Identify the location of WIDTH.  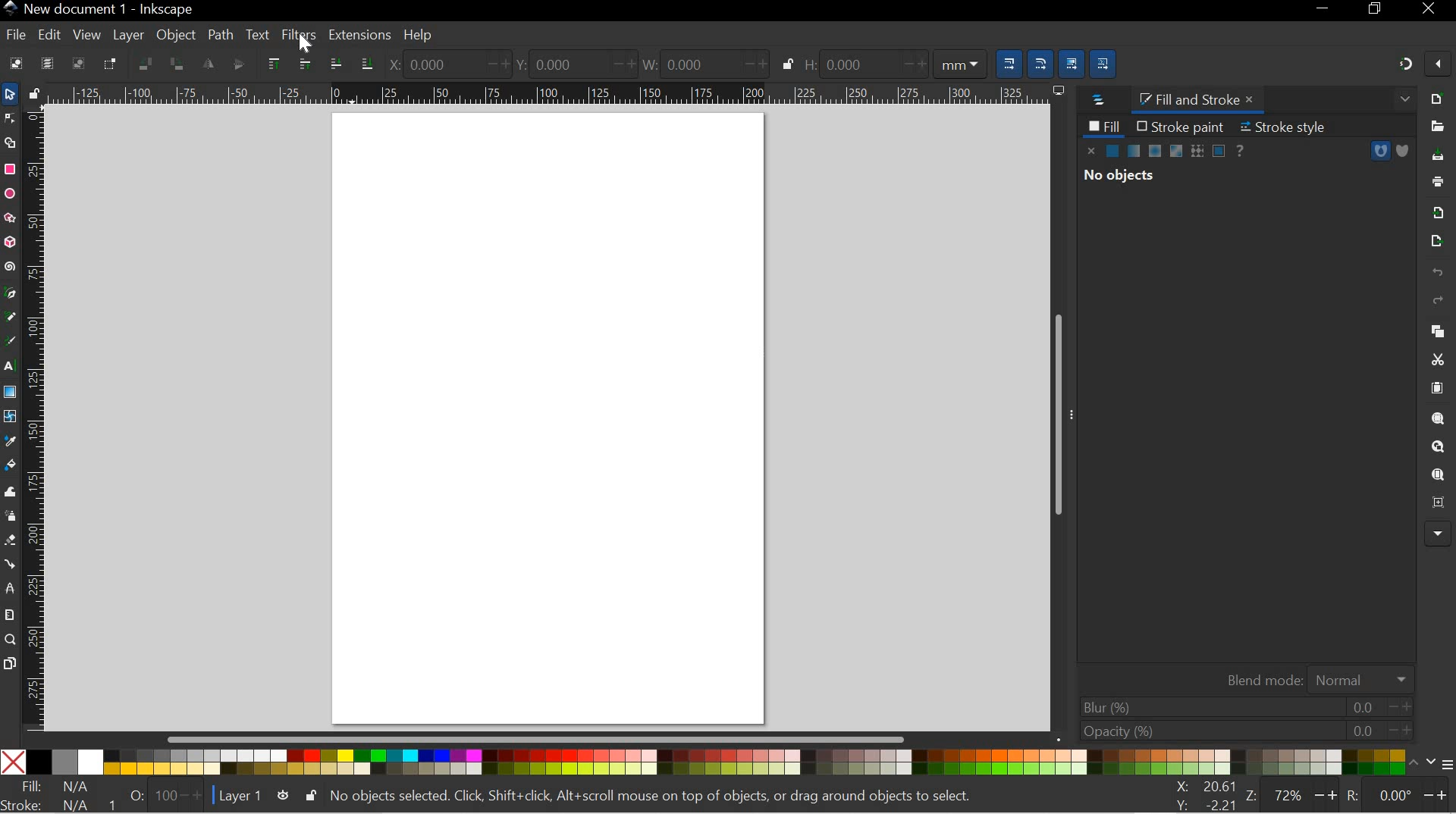
(701, 62).